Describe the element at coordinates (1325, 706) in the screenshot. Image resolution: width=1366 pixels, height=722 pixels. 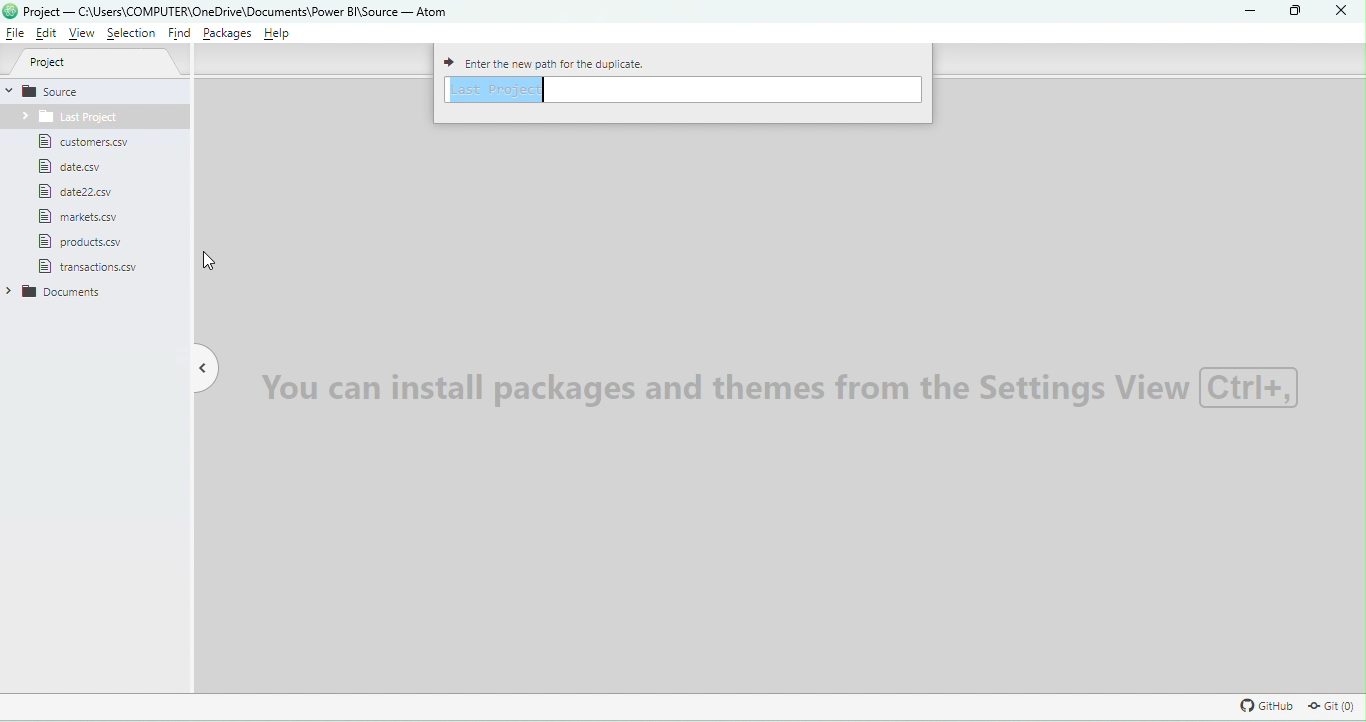
I see `Git repository` at that location.